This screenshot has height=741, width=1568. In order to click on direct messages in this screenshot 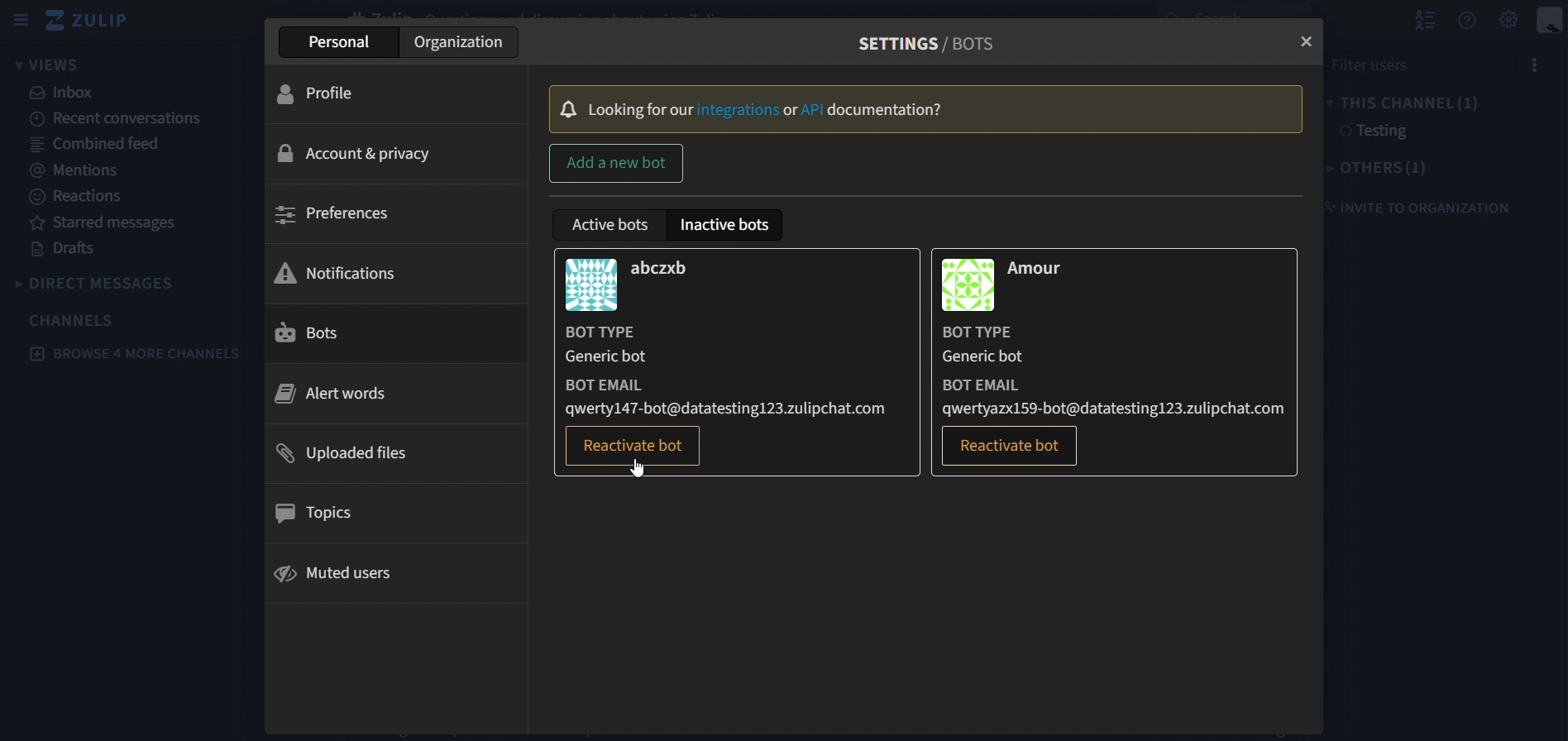, I will do `click(117, 283)`.